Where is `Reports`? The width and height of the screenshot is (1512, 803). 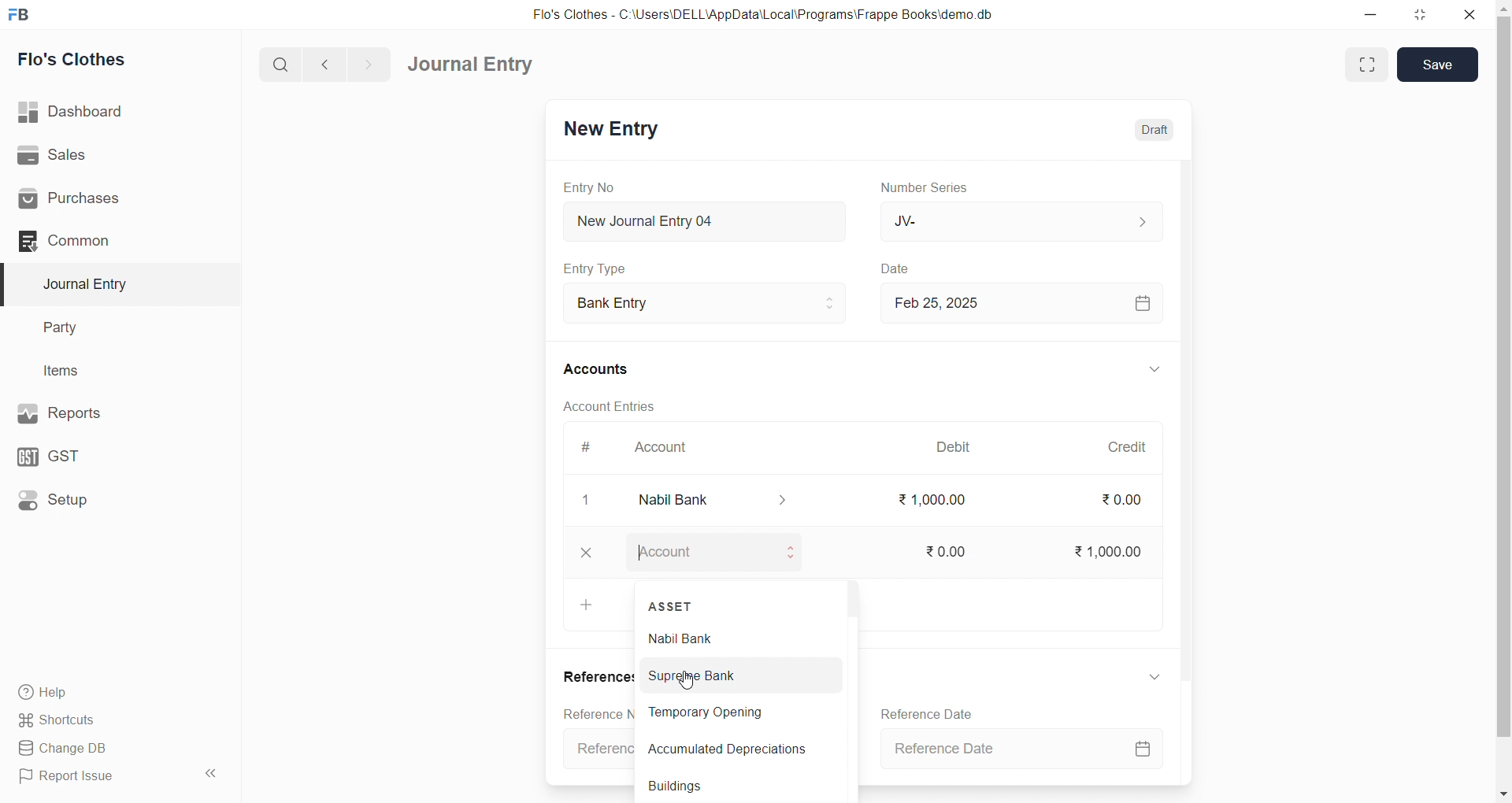
Reports is located at coordinates (110, 412).